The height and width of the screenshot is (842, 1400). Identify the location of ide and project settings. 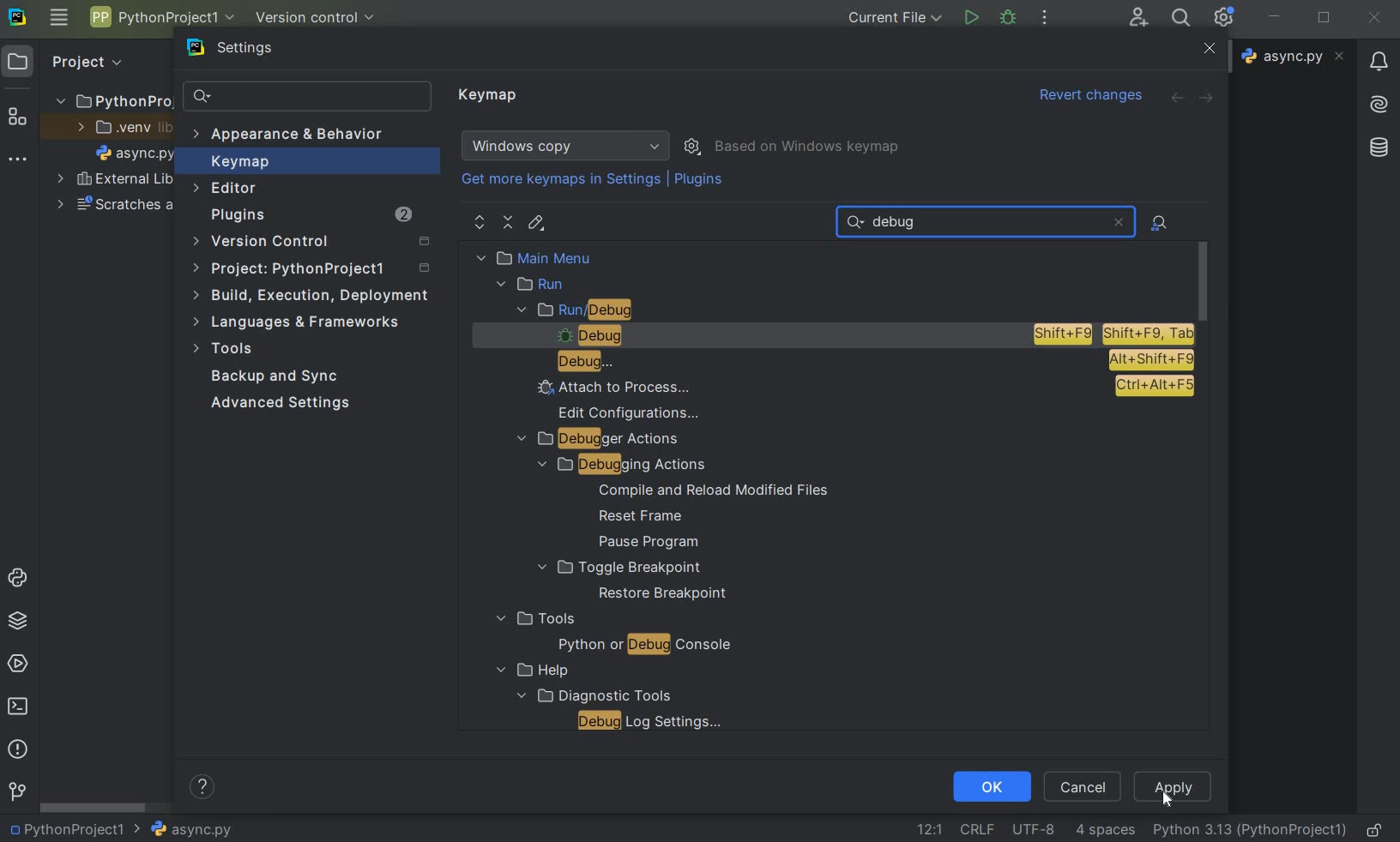
(1225, 17).